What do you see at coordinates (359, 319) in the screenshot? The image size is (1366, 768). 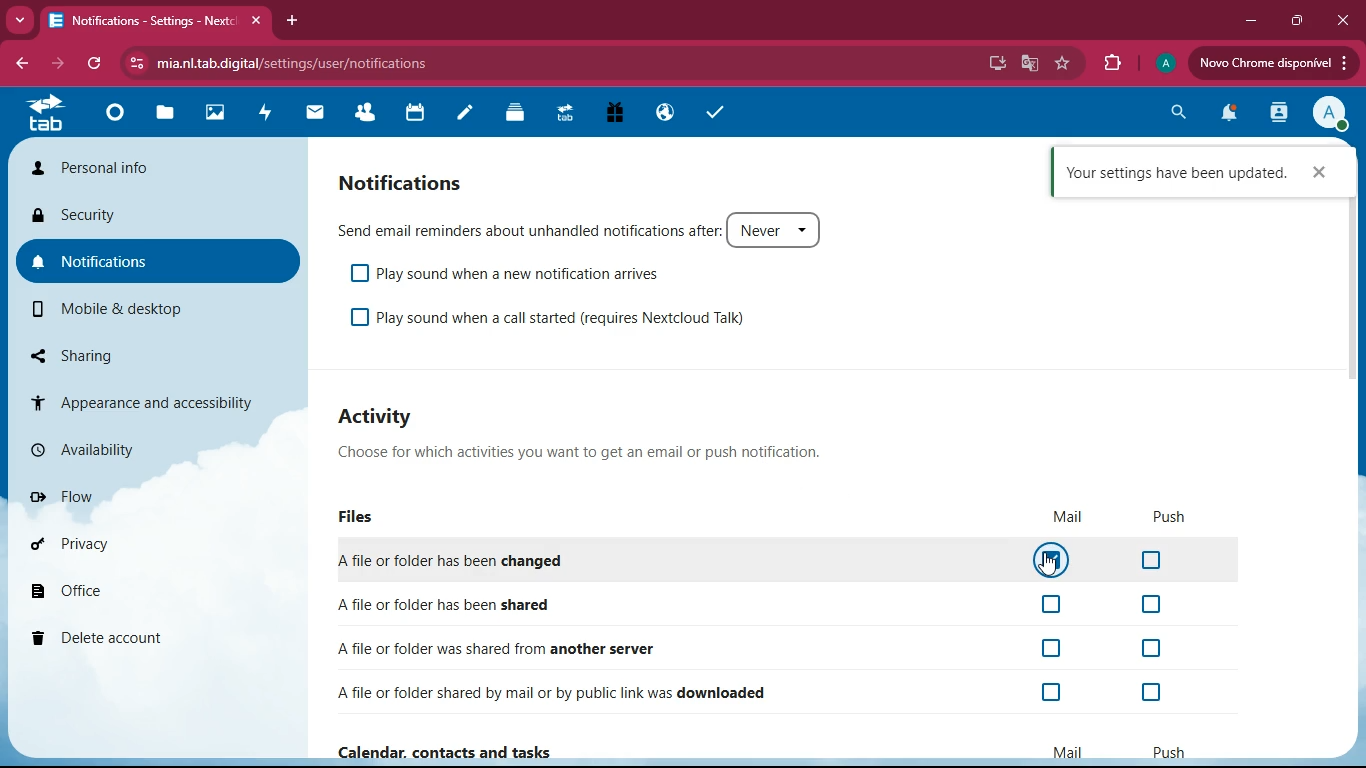 I see `off` at bounding box center [359, 319].